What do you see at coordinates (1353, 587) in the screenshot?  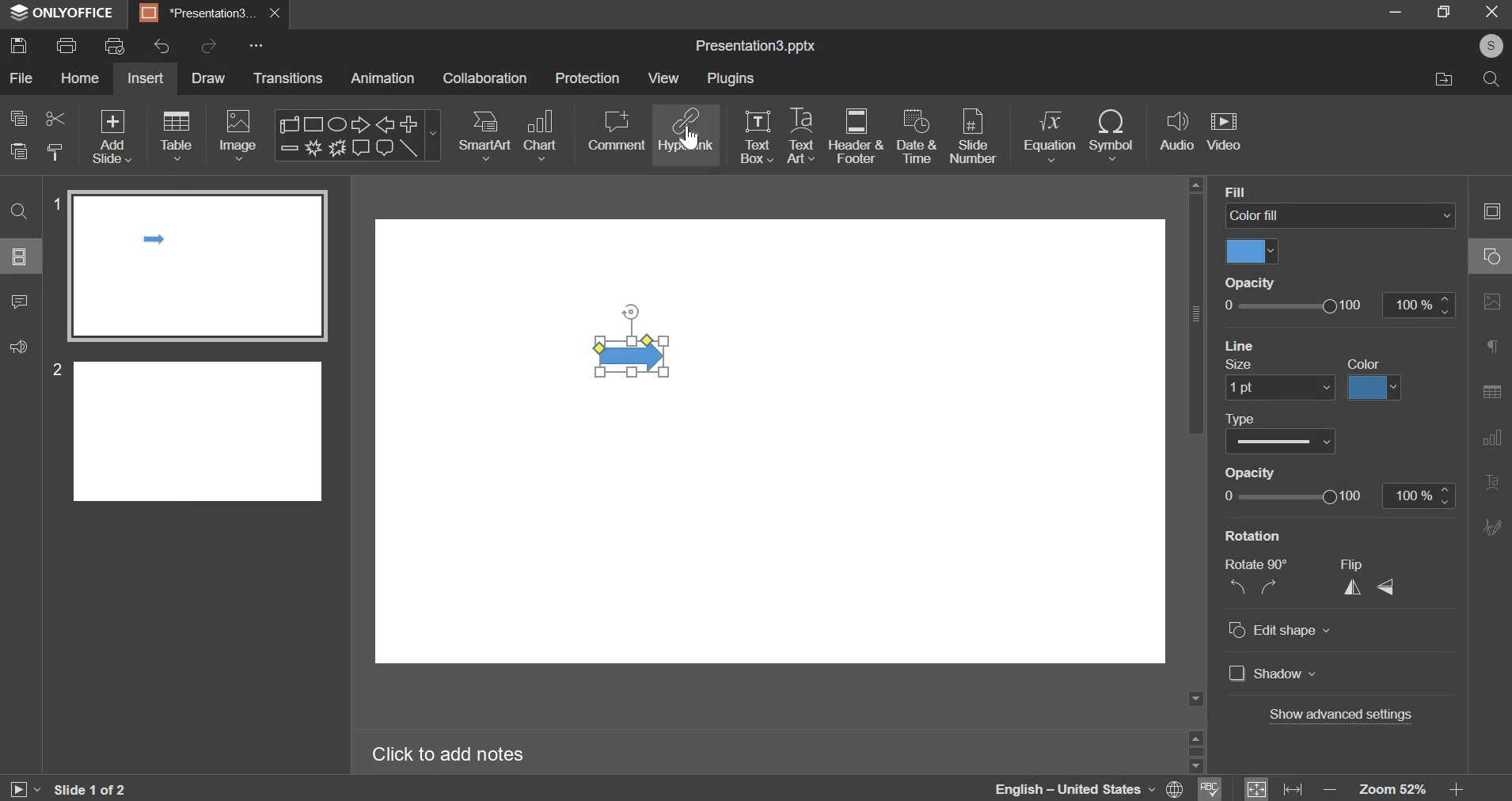 I see `flip horizontally` at bounding box center [1353, 587].